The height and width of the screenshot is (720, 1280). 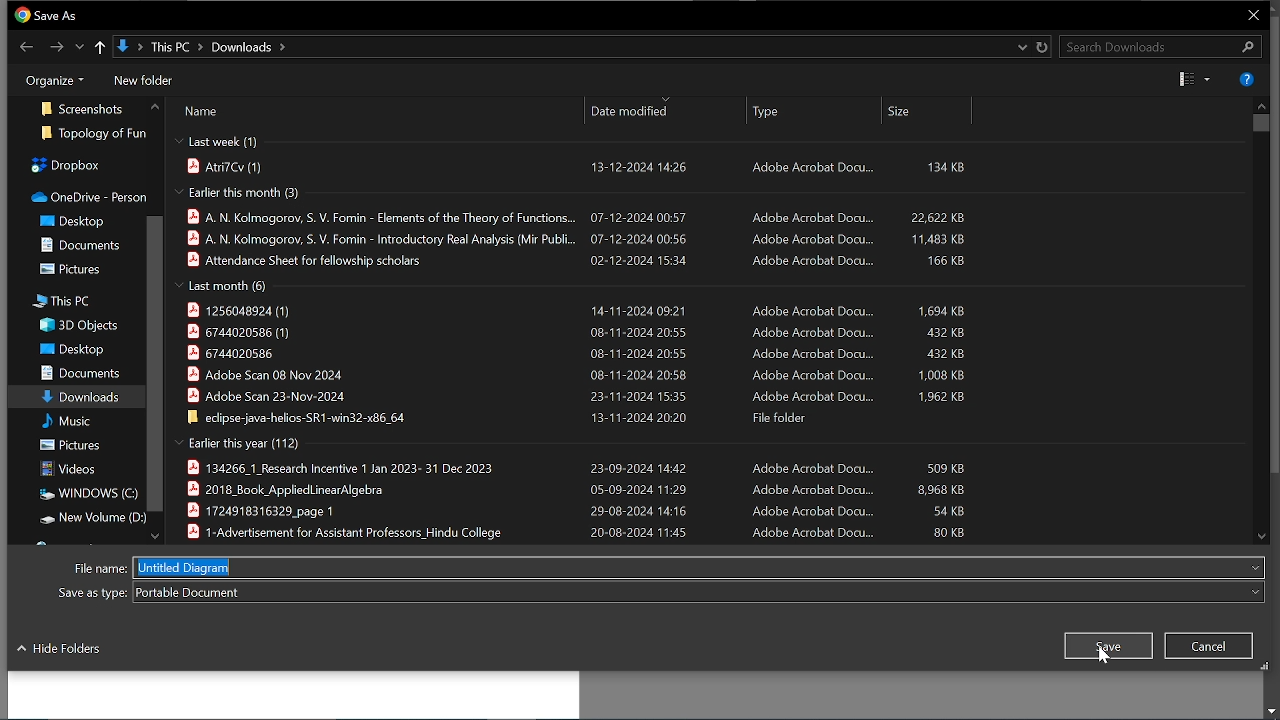 I want to click on Adobe Acrobat Docu..., so click(x=808, y=376).